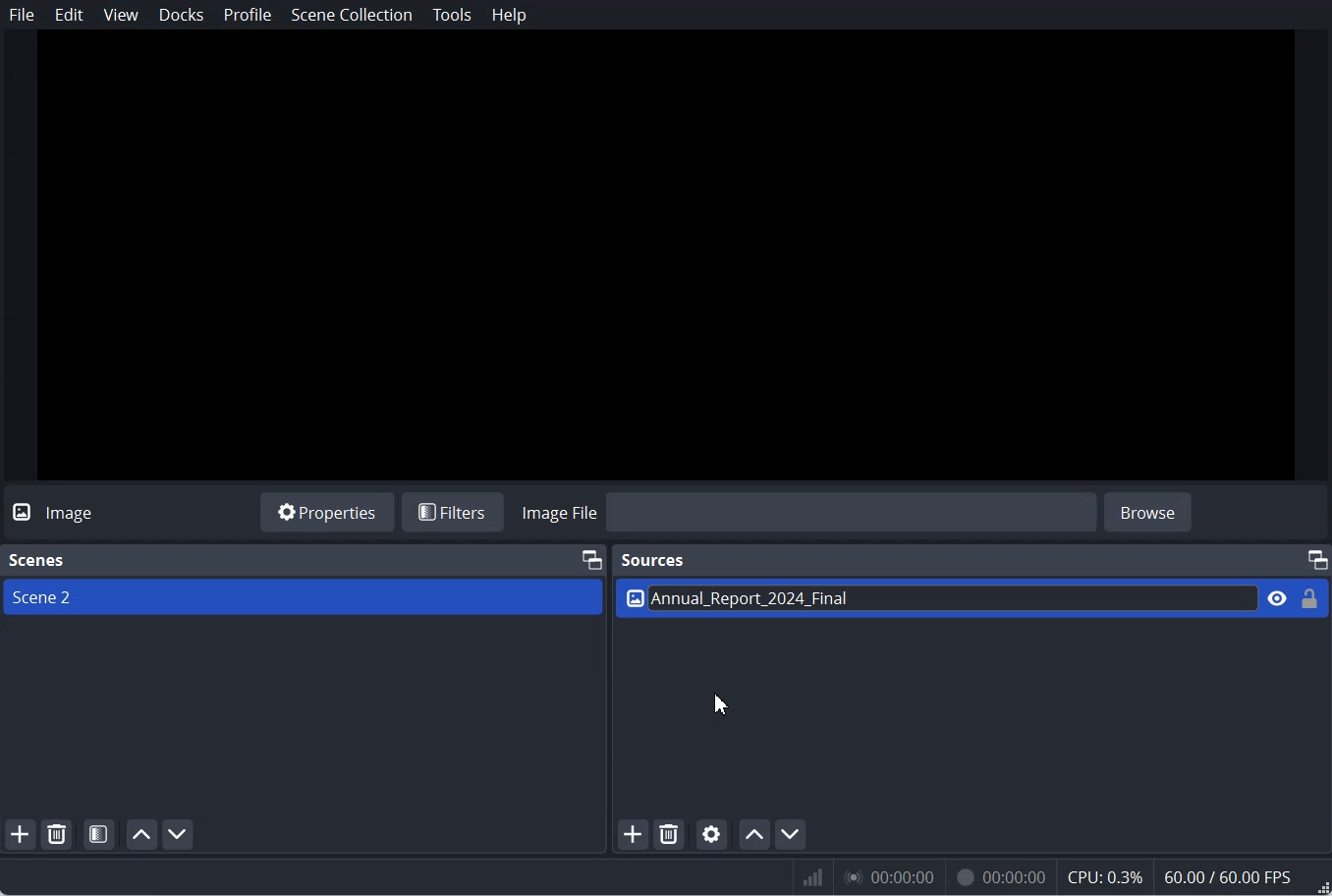 The image size is (1332, 896). What do you see at coordinates (1151, 511) in the screenshot?
I see `browse` at bounding box center [1151, 511].